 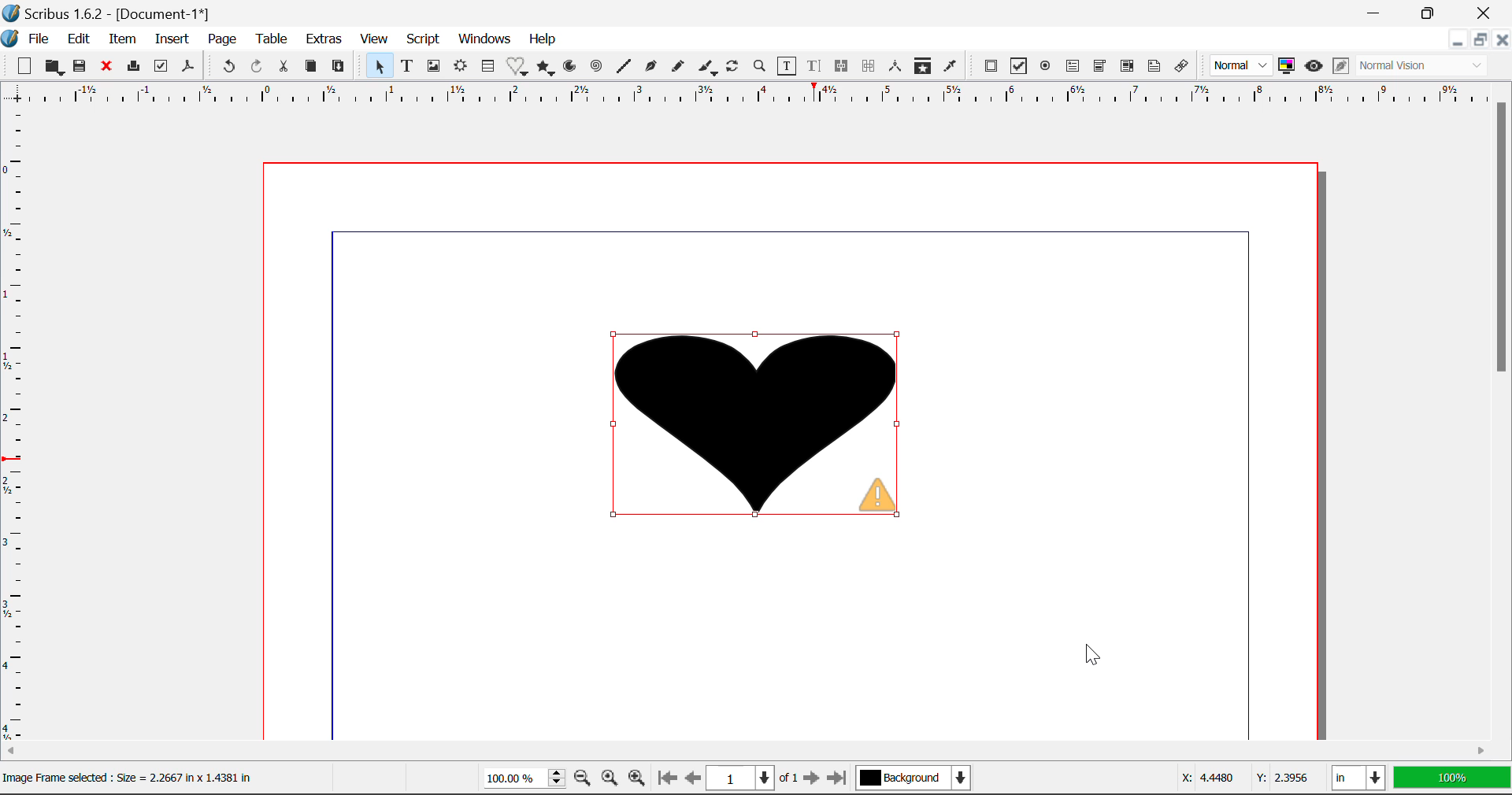 What do you see at coordinates (667, 778) in the screenshot?
I see `First Page` at bounding box center [667, 778].